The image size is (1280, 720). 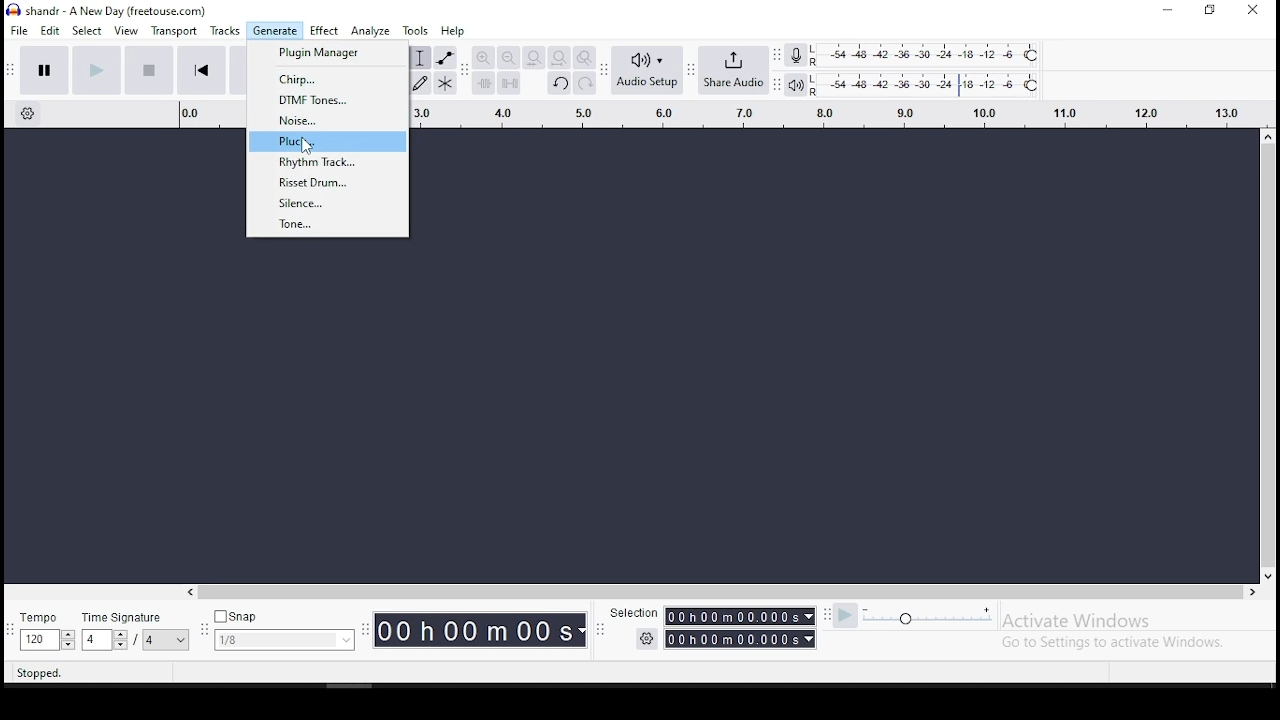 I want to click on file, so click(x=19, y=31).